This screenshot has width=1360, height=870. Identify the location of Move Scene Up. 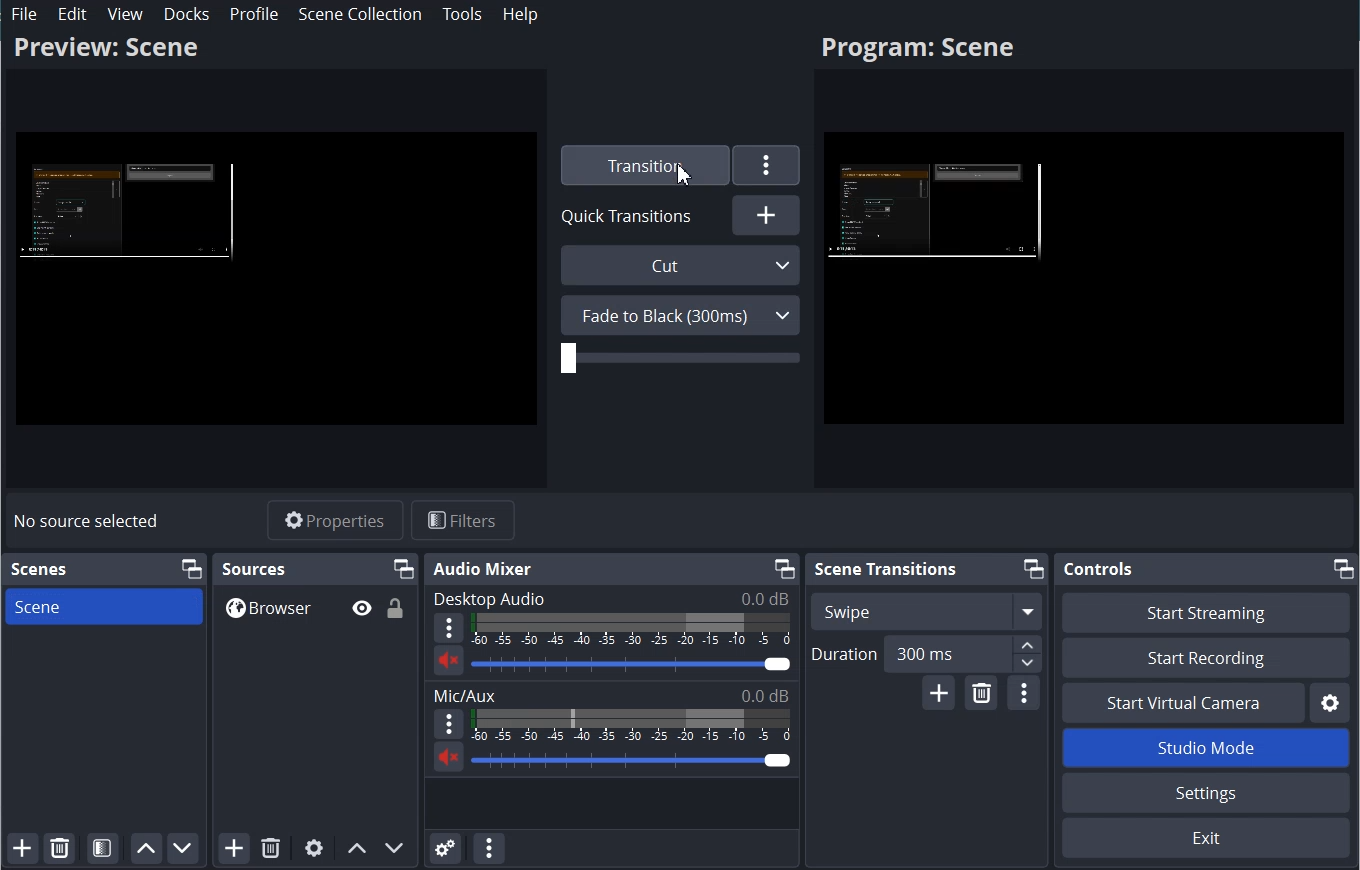
(146, 849).